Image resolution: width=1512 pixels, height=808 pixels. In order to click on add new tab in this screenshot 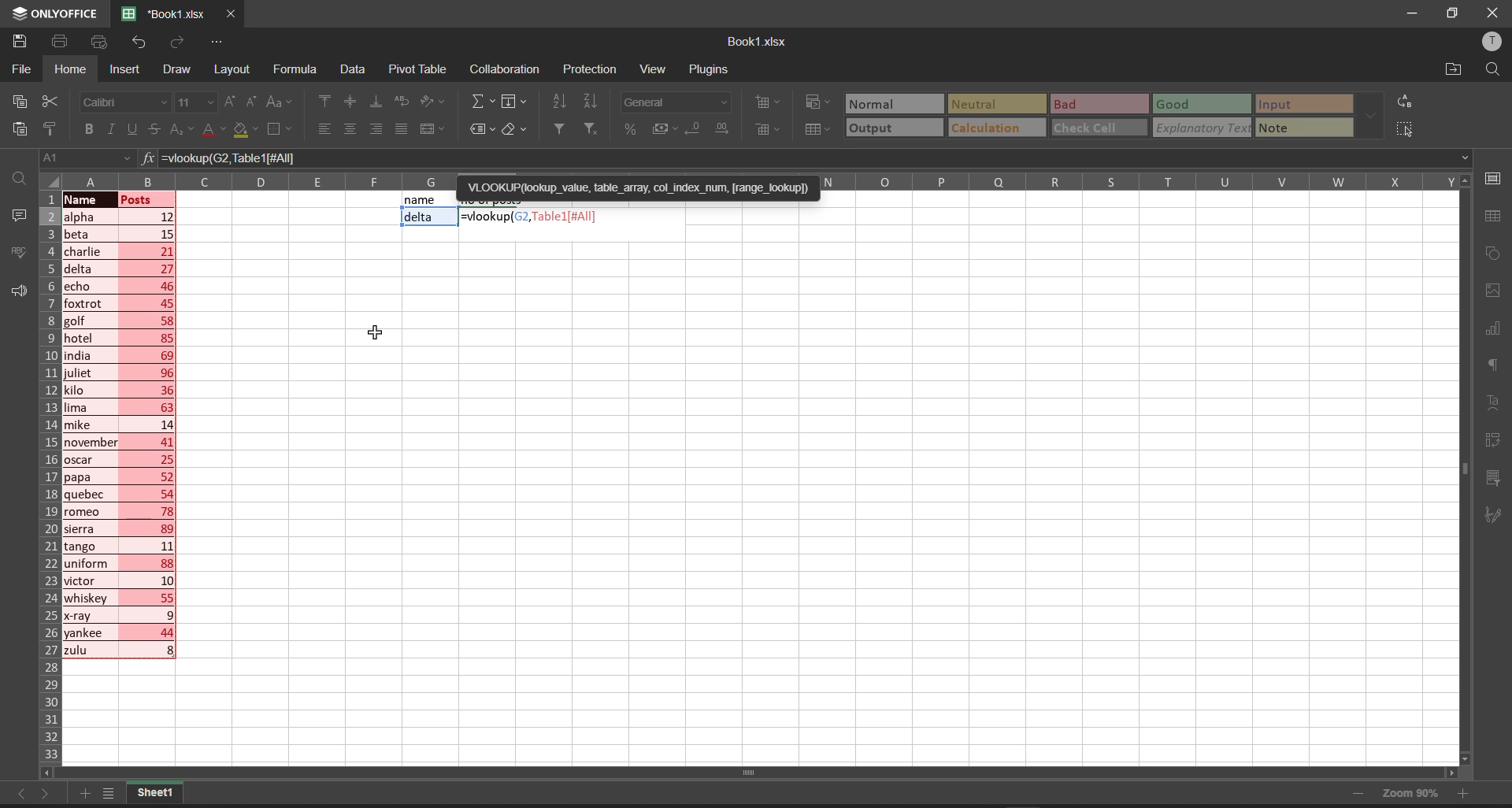, I will do `click(87, 791)`.